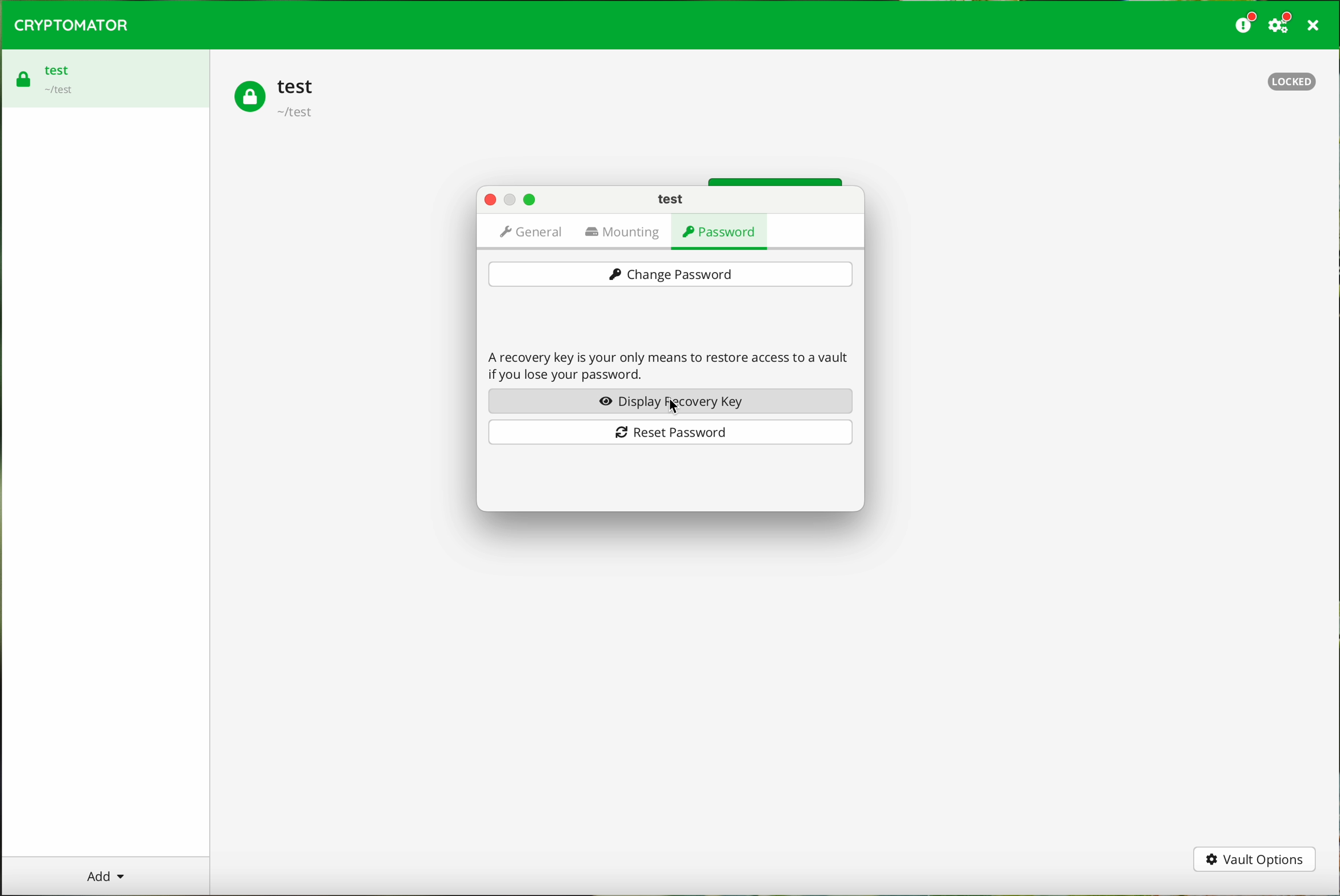 The image size is (1340, 896). Describe the element at coordinates (671, 433) in the screenshot. I see `reset password` at that location.